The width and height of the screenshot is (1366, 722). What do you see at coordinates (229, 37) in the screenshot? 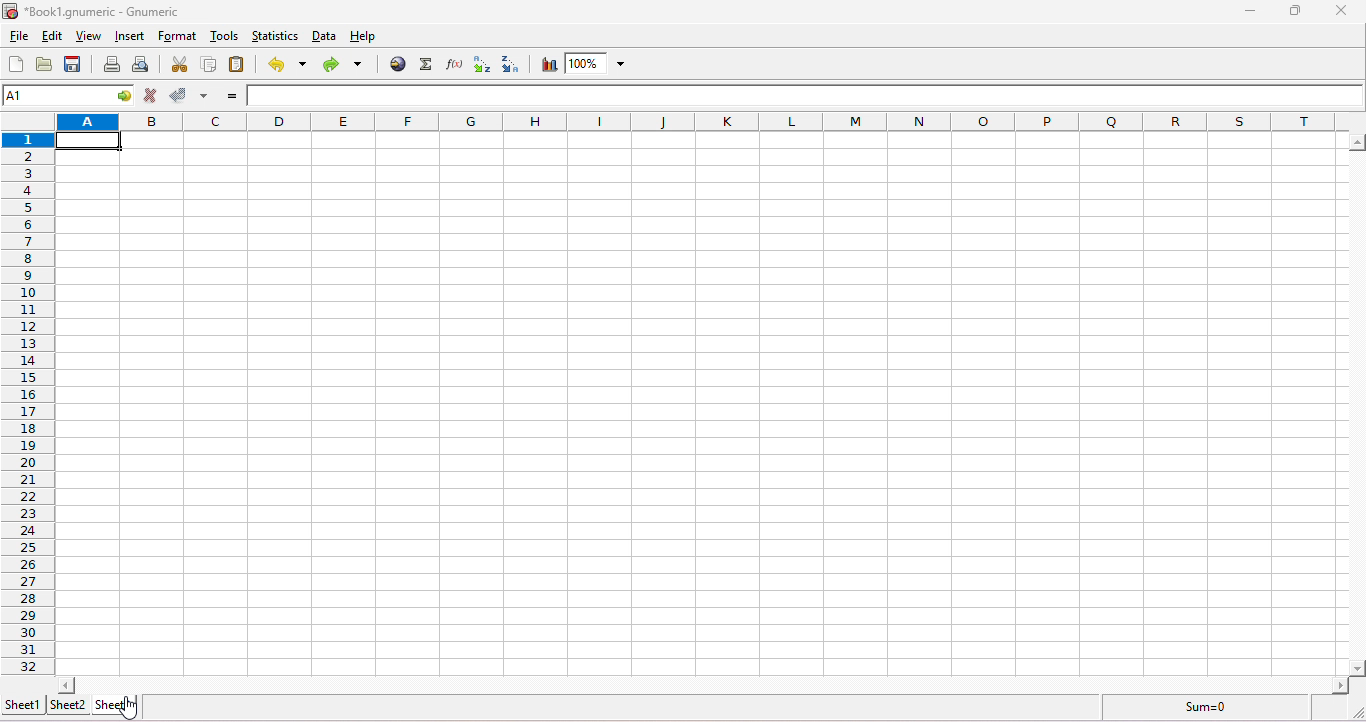
I see `tools` at bounding box center [229, 37].